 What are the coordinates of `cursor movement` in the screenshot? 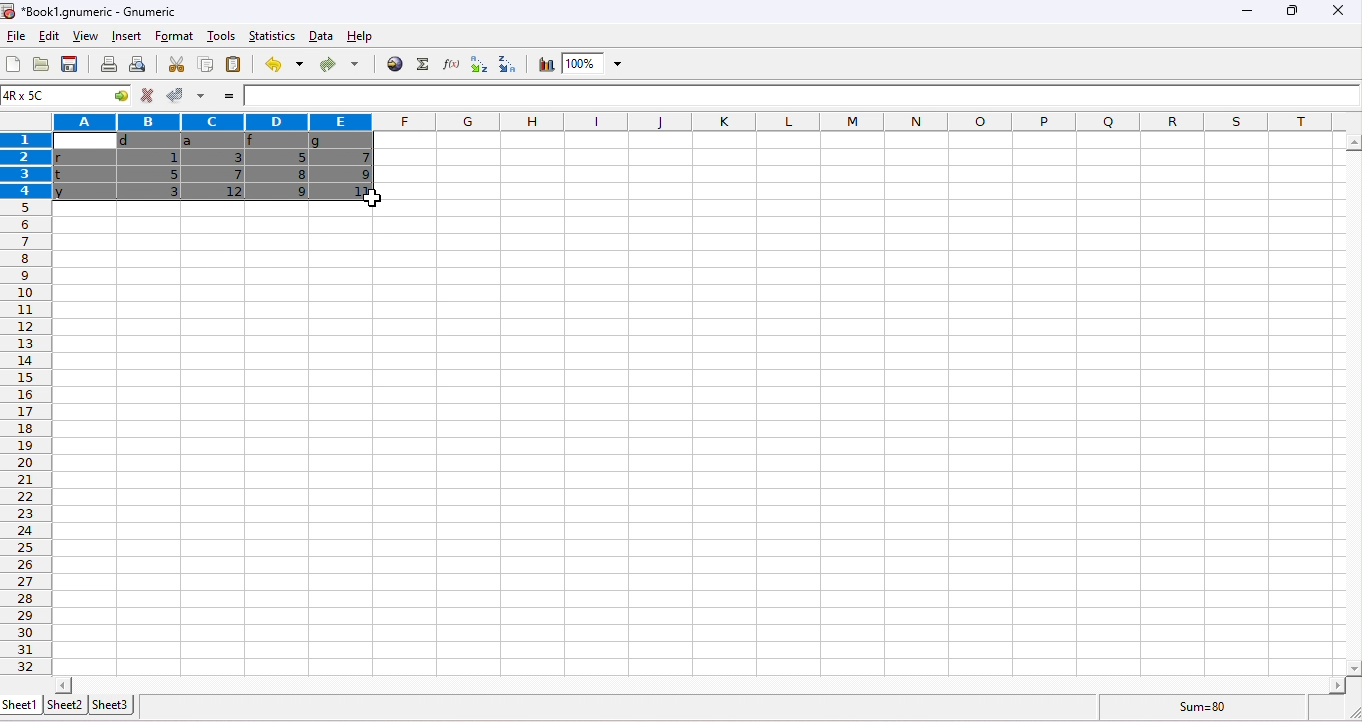 It's located at (369, 199).